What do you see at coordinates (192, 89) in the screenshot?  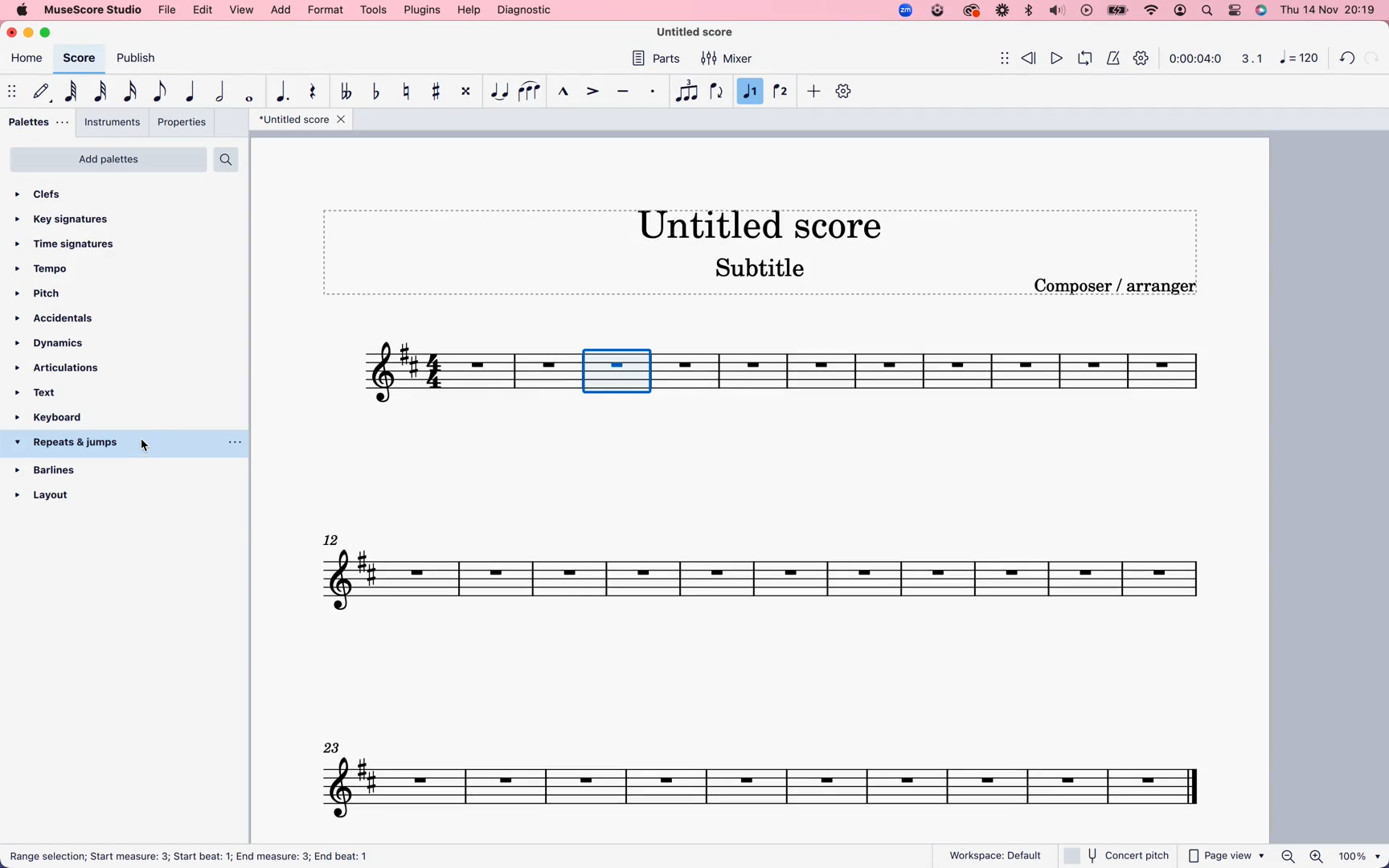 I see `quarter note` at bounding box center [192, 89].